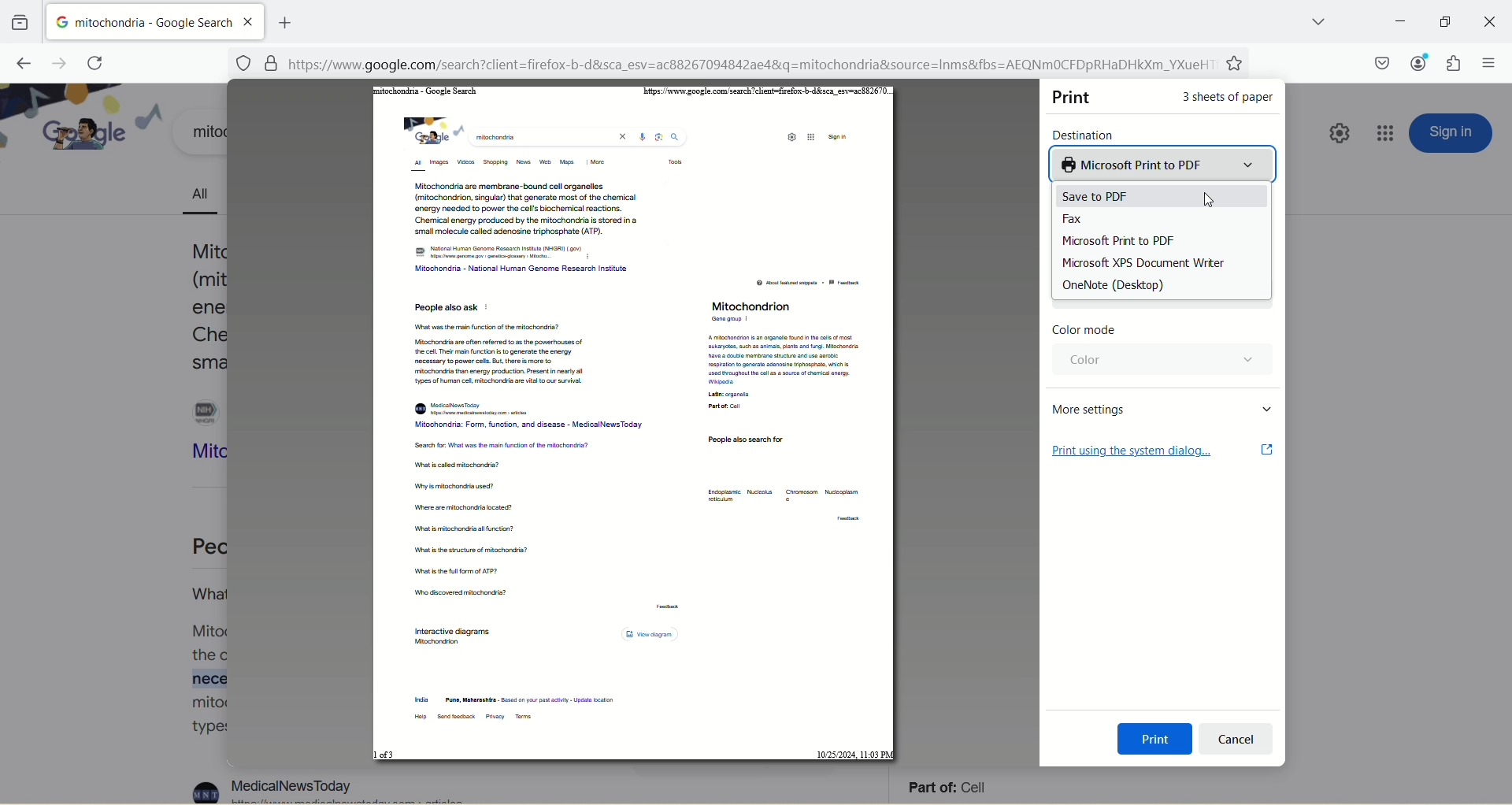 The width and height of the screenshot is (1512, 805). What do you see at coordinates (21, 61) in the screenshot?
I see `go back one page` at bounding box center [21, 61].